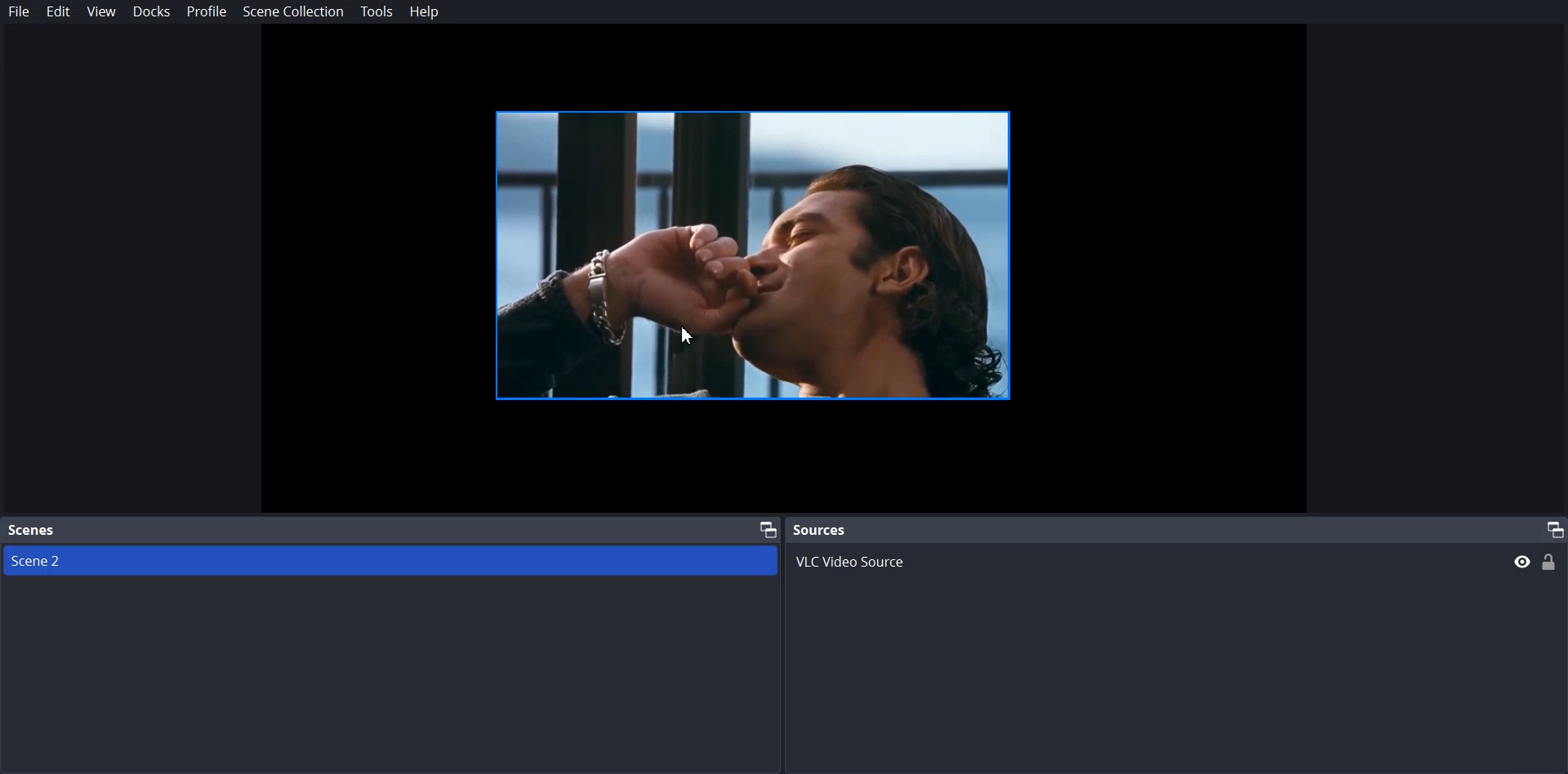 This screenshot has height=774, width=1568. Describe the element at coordinates (390, 560) in the screenshot. I see `Scene file` at that location.